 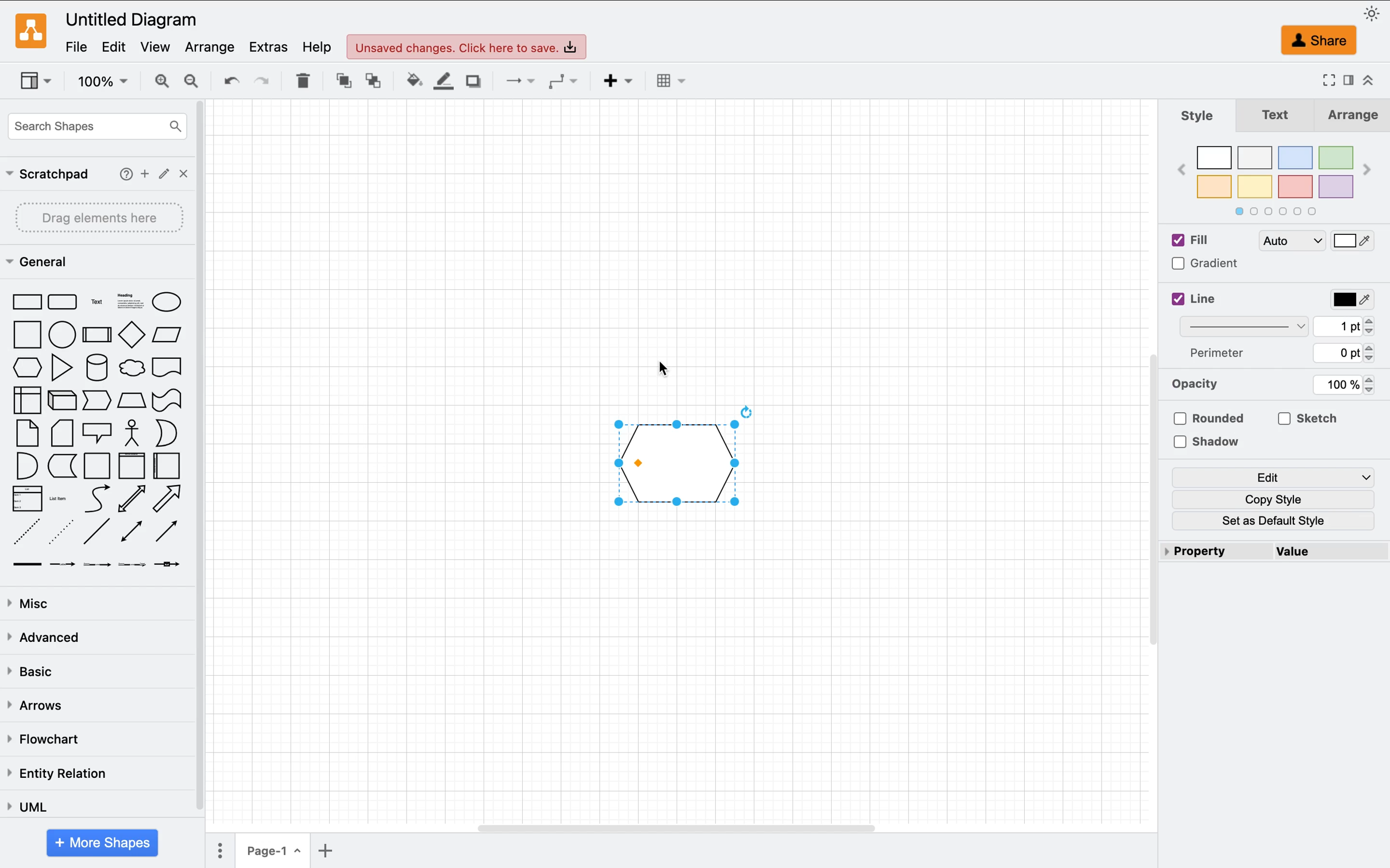 I want to click on dotted line, so click(x=62, y=530).